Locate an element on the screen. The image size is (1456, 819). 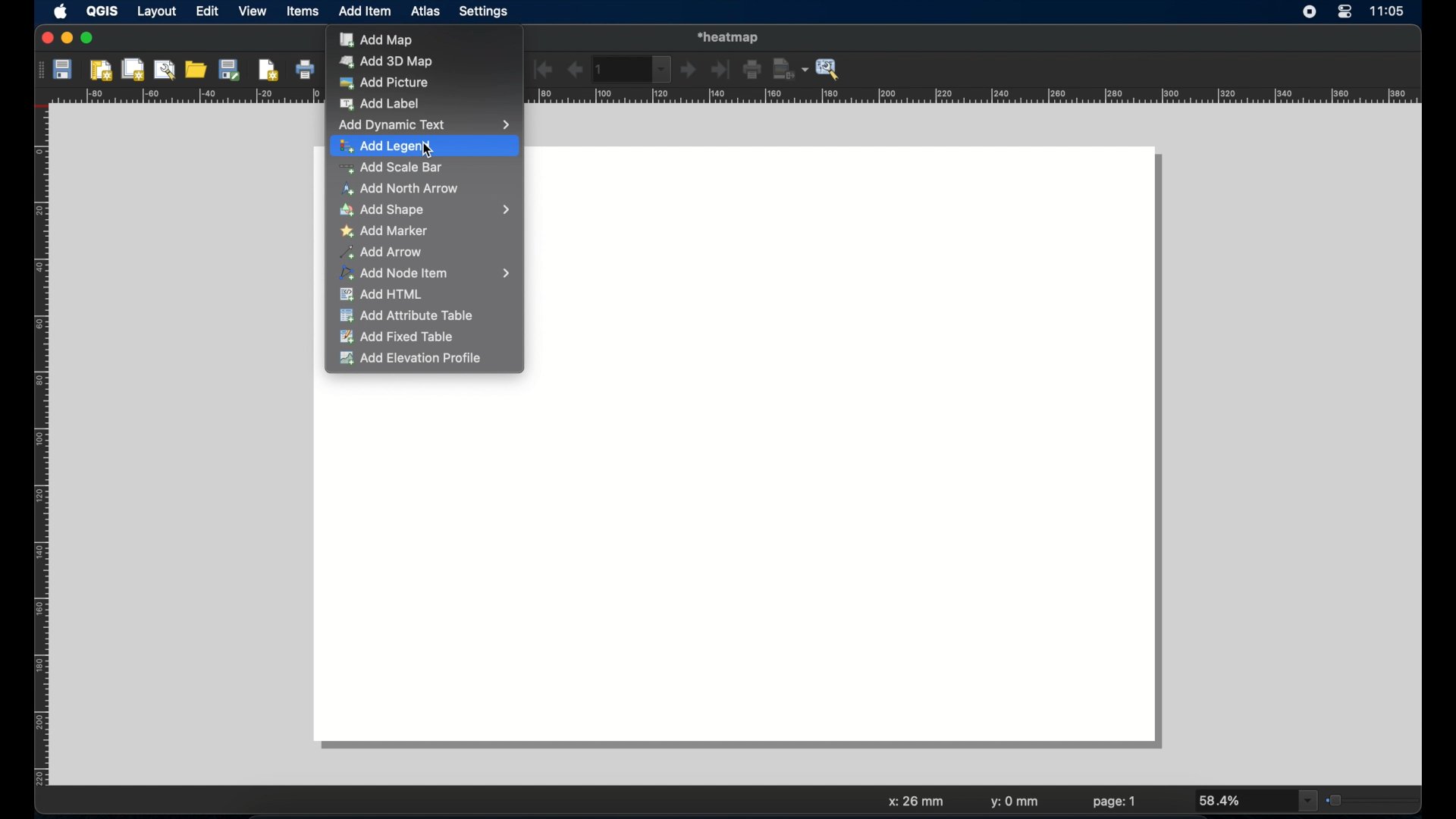
heat map is located at coordinates (732, 36).